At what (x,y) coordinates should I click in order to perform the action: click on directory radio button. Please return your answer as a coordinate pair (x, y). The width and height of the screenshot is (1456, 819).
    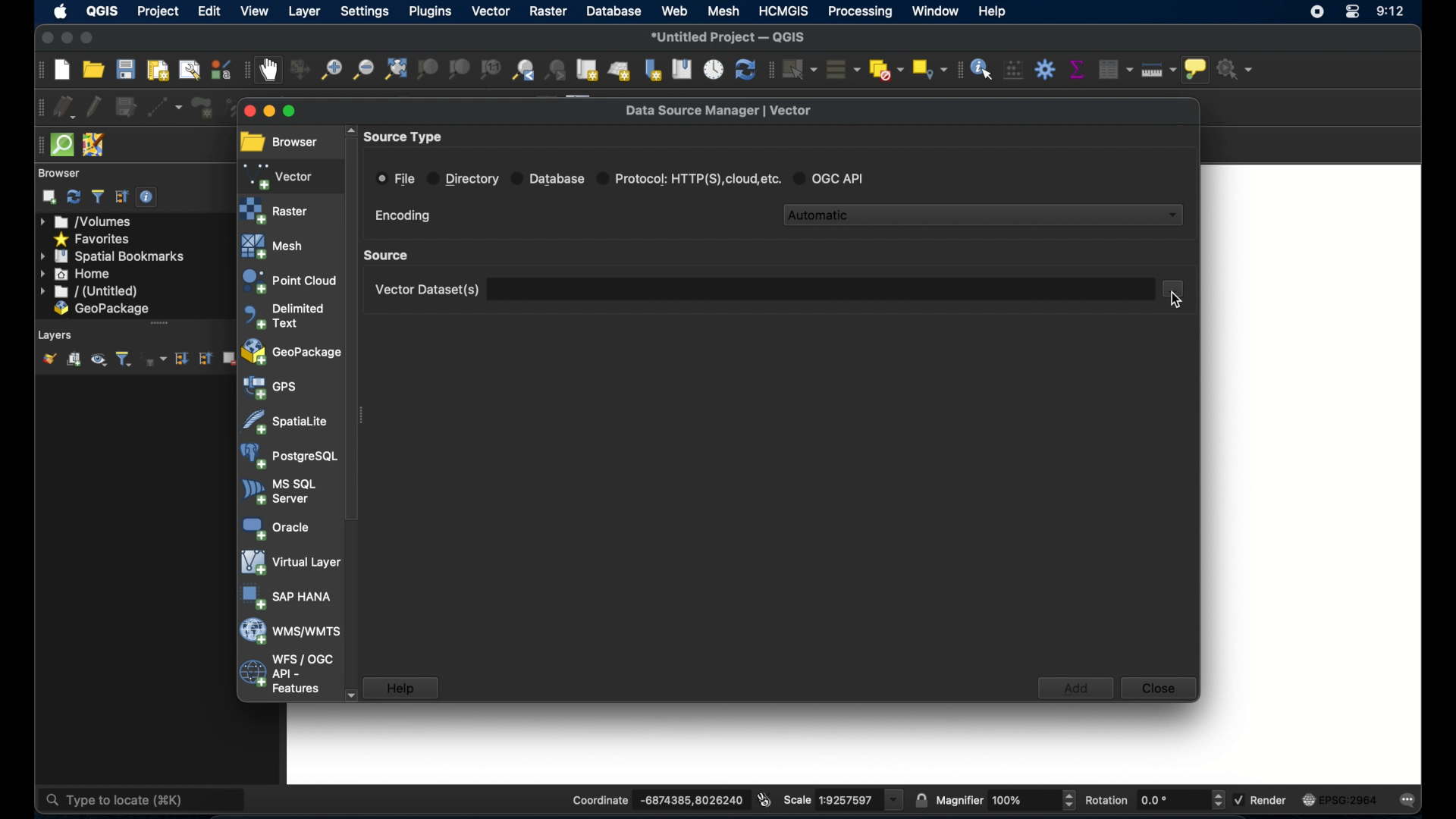
    Looking at the image, I should click on (463, 179).